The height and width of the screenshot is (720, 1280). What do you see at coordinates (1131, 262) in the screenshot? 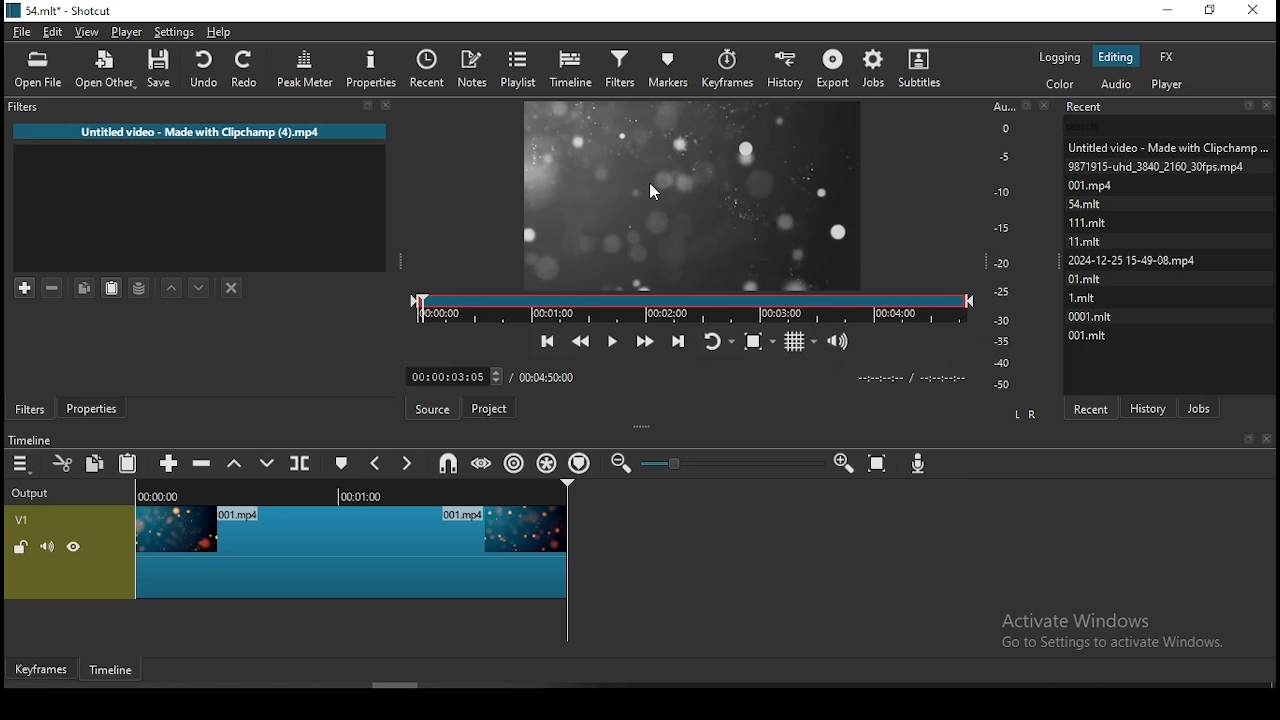
I see `files` at bounding box center [1131, 262].